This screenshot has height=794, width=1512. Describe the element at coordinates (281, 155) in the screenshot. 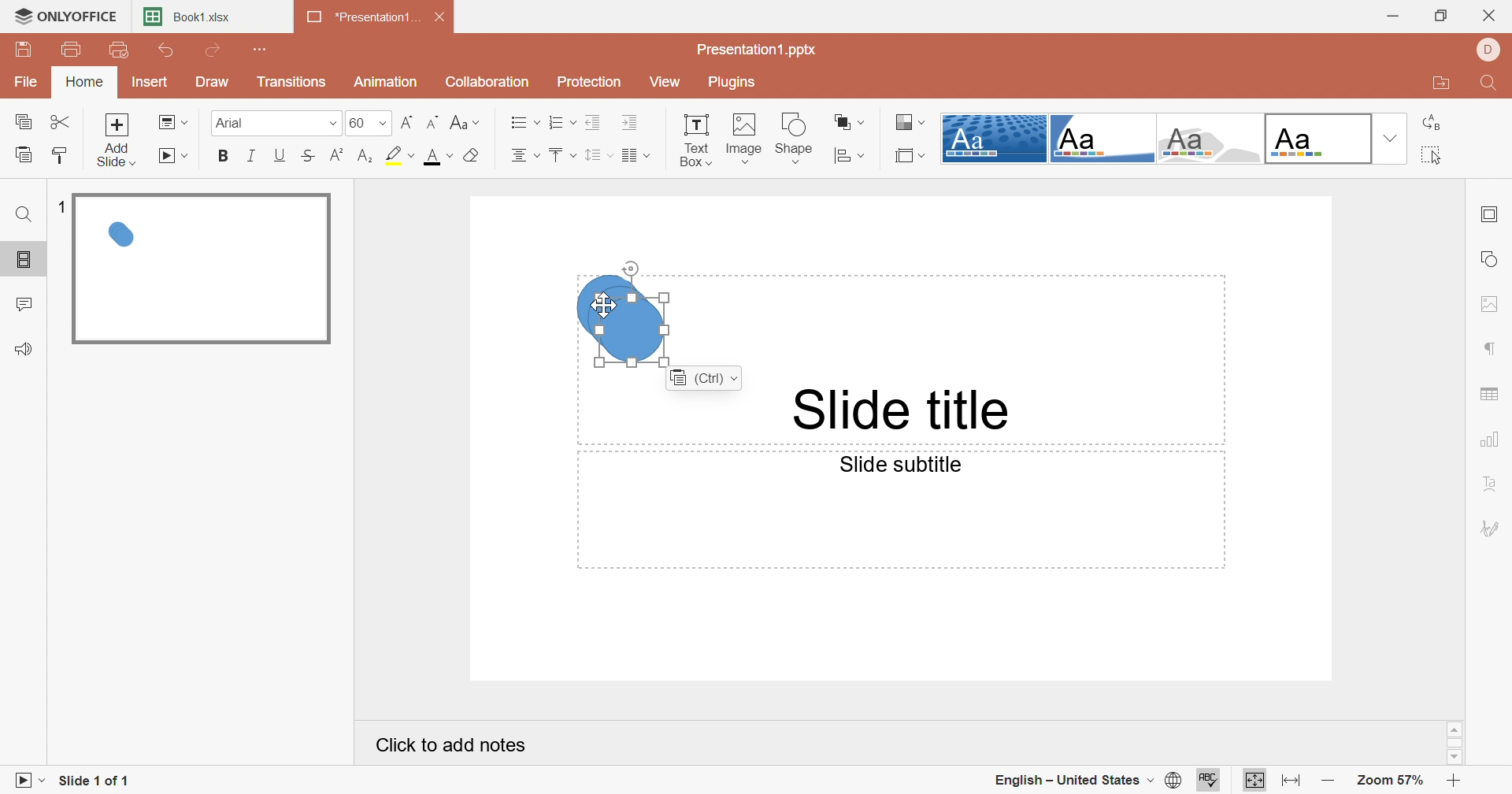

I see `Underline` at that location.